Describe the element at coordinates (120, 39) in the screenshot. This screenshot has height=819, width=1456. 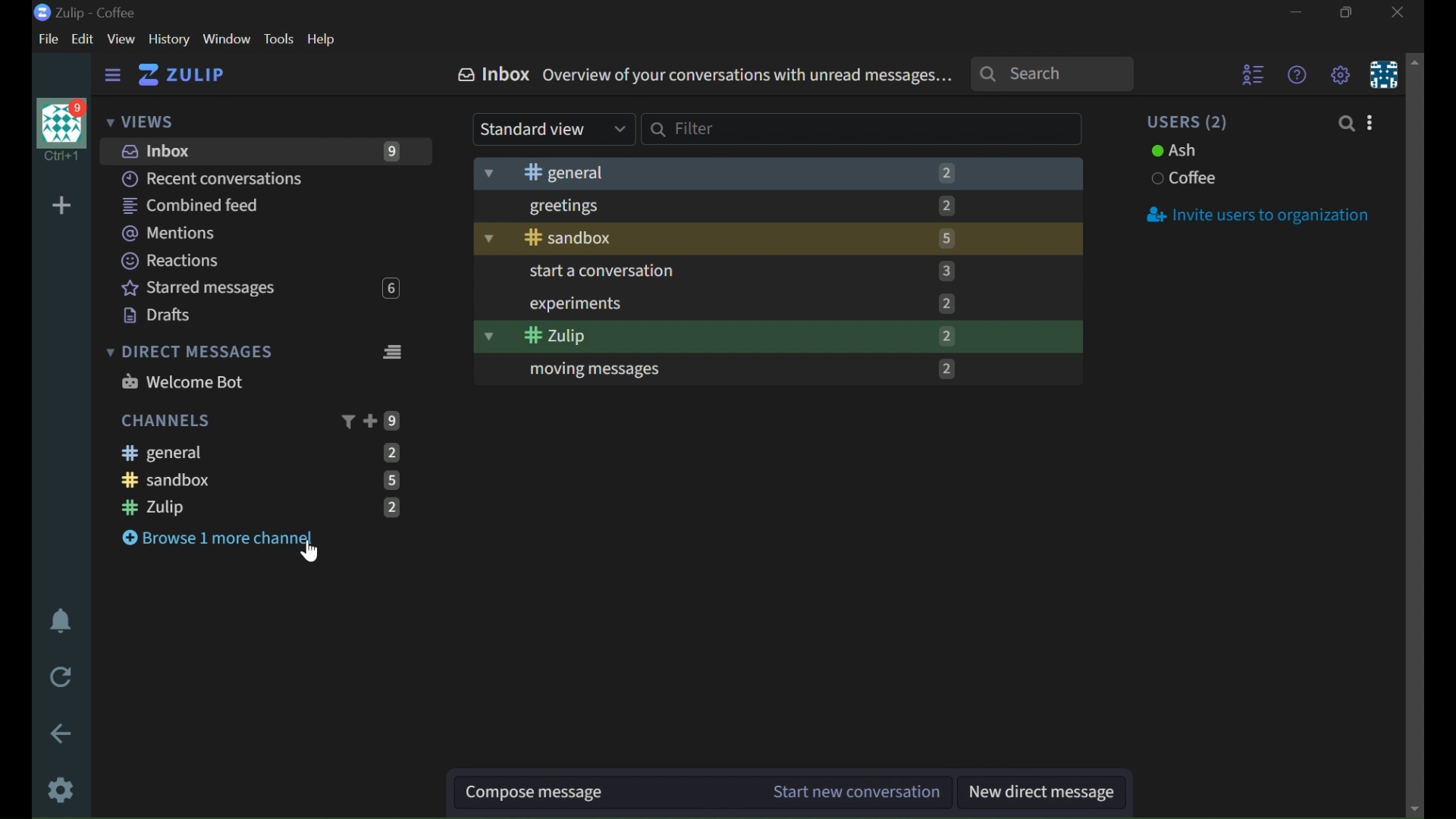
I see `VIEW` at that location.